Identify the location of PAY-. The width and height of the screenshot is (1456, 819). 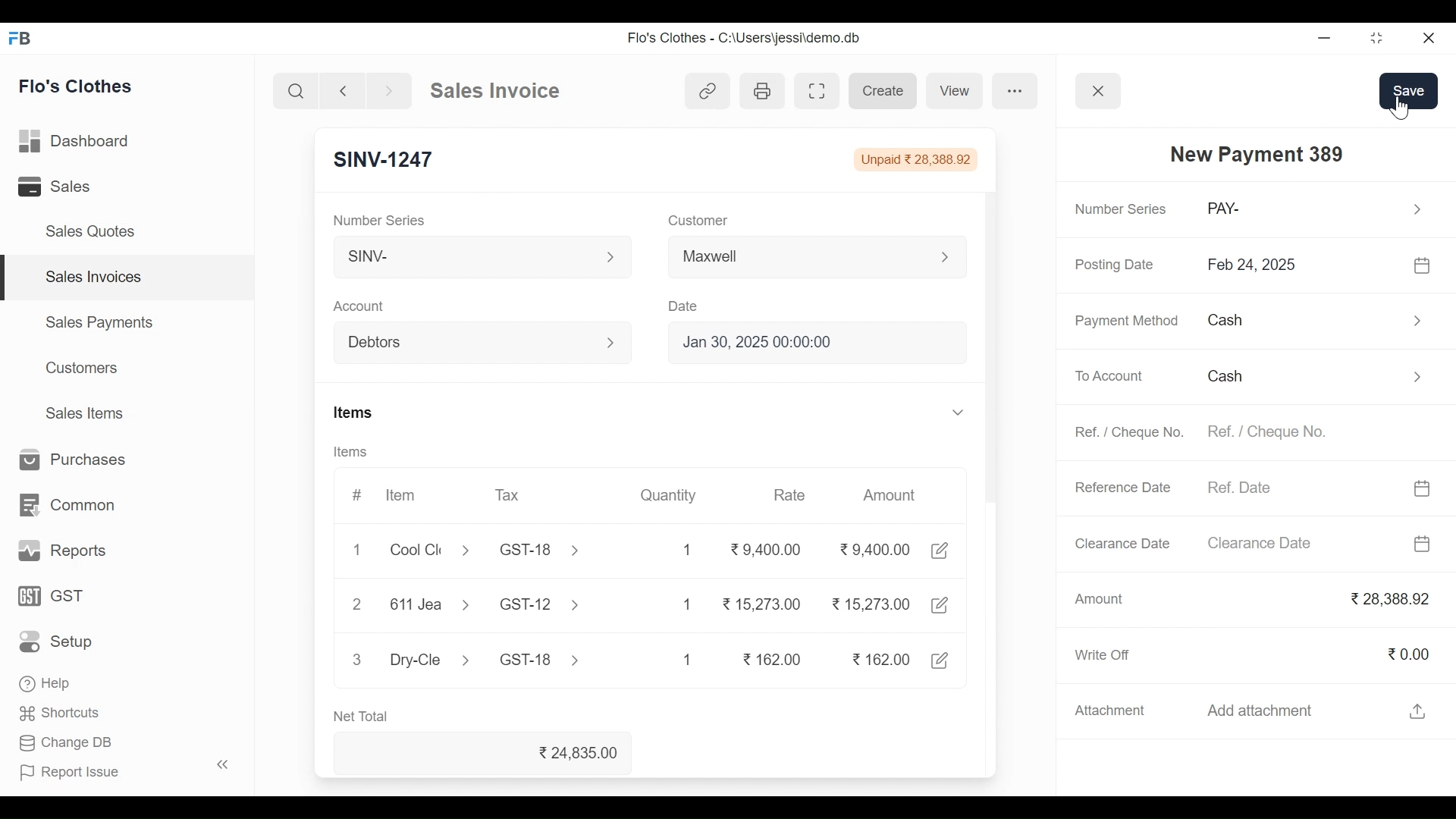
(1236, 209).